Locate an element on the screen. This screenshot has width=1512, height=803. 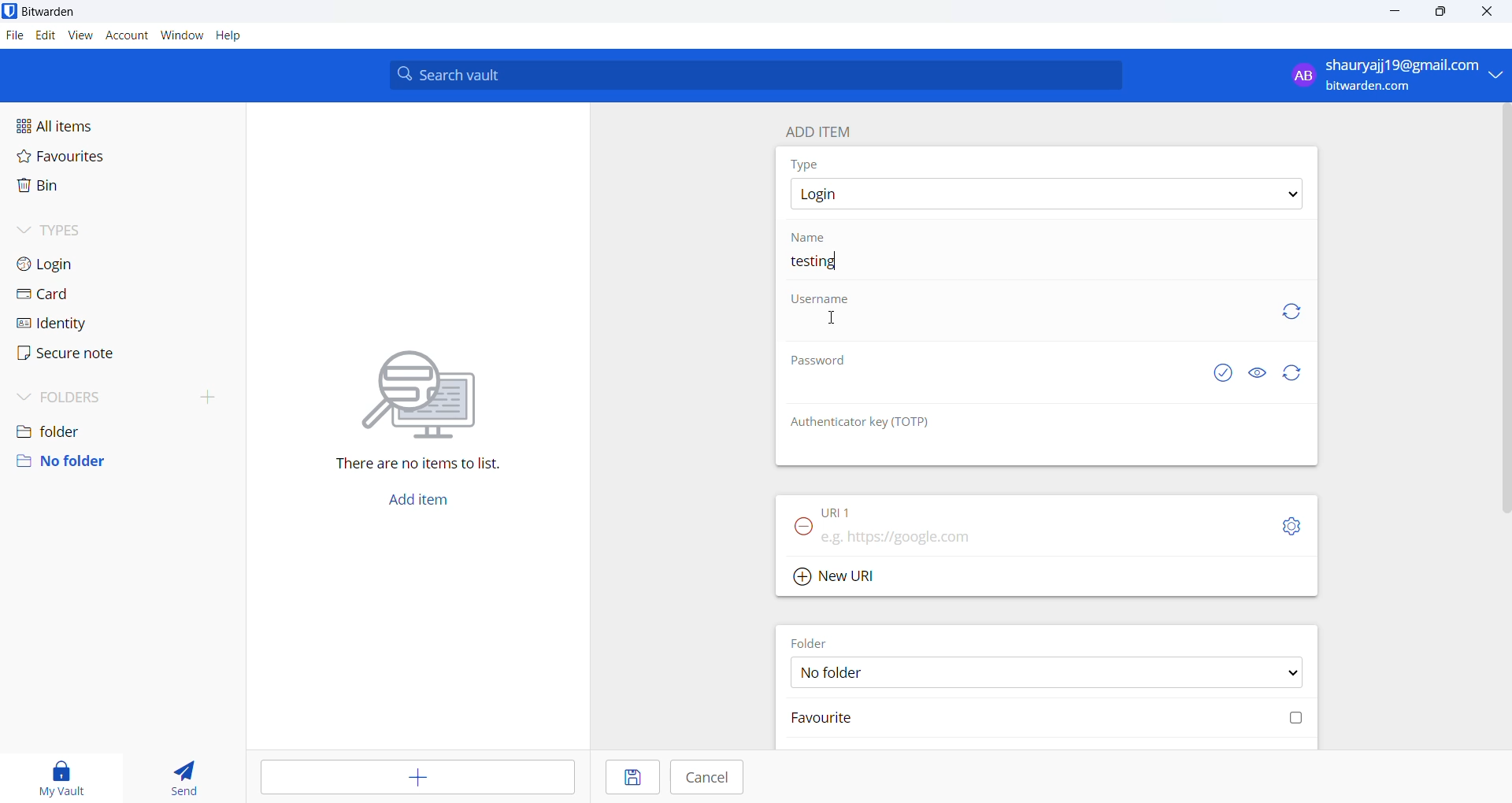
name heading is located at coordinates (814, 237).